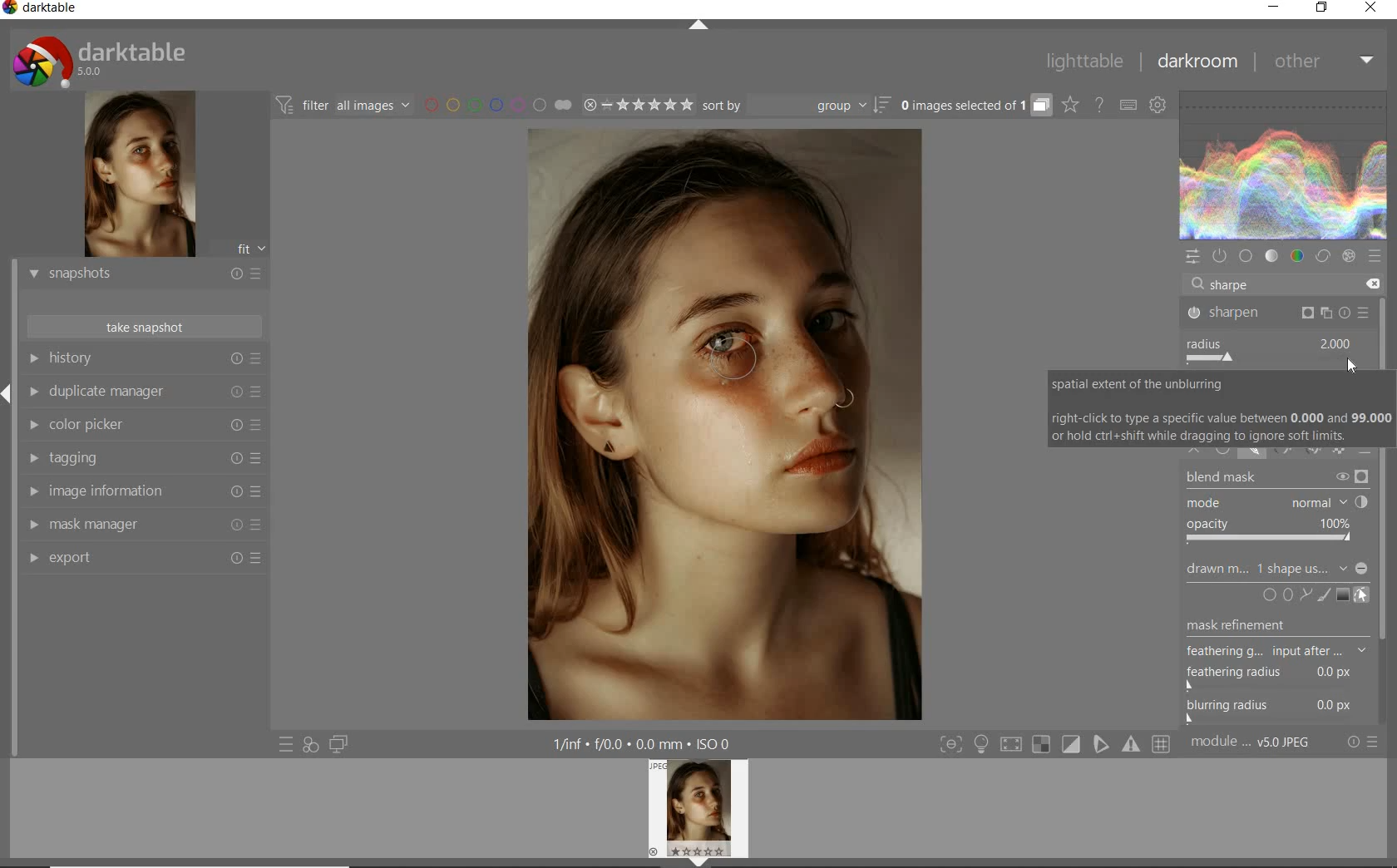  I want to click on DELETE, so click(1370, 284).